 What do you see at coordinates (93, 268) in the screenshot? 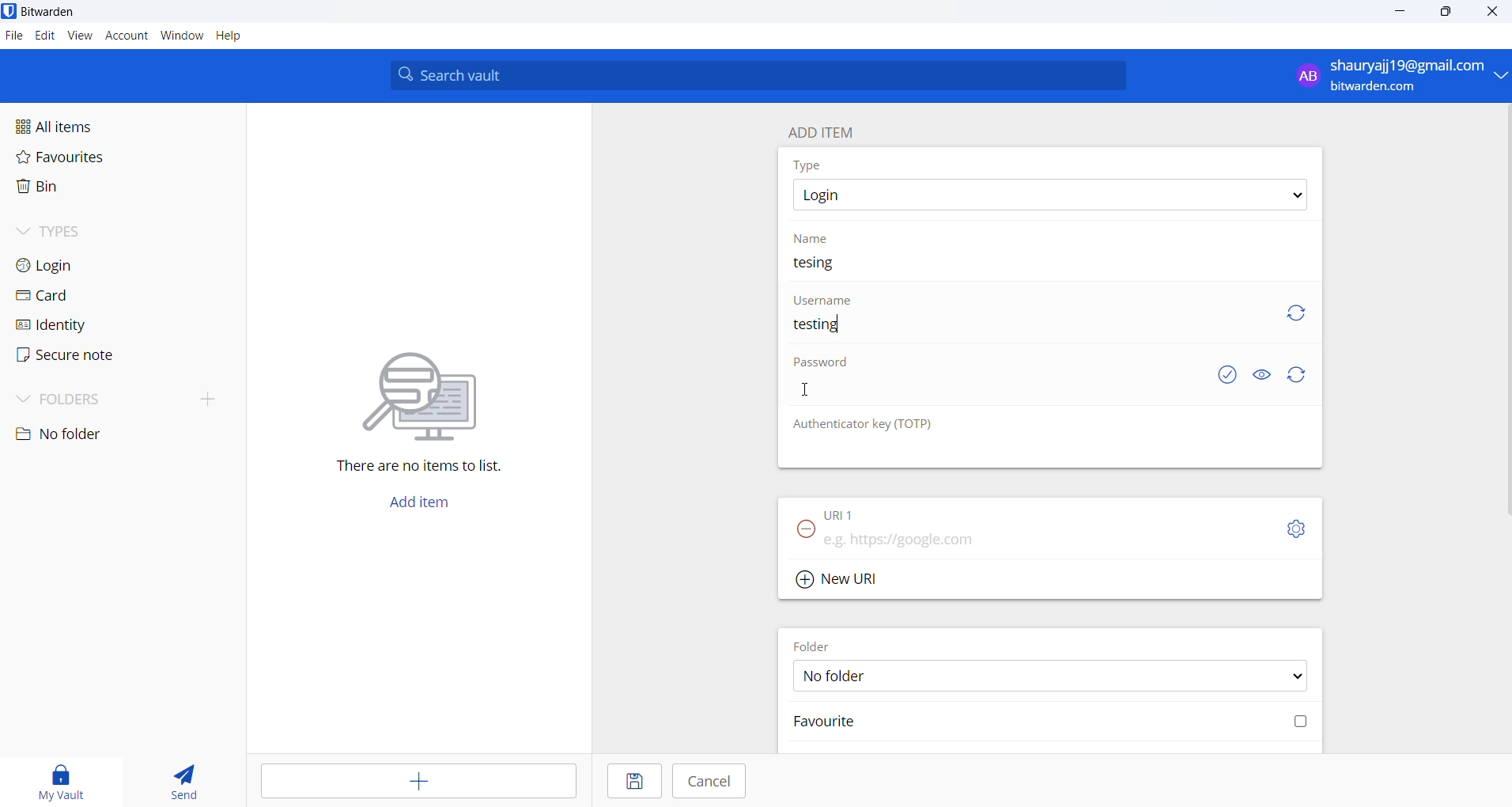
I see `login` at bounding box center [93, 268].